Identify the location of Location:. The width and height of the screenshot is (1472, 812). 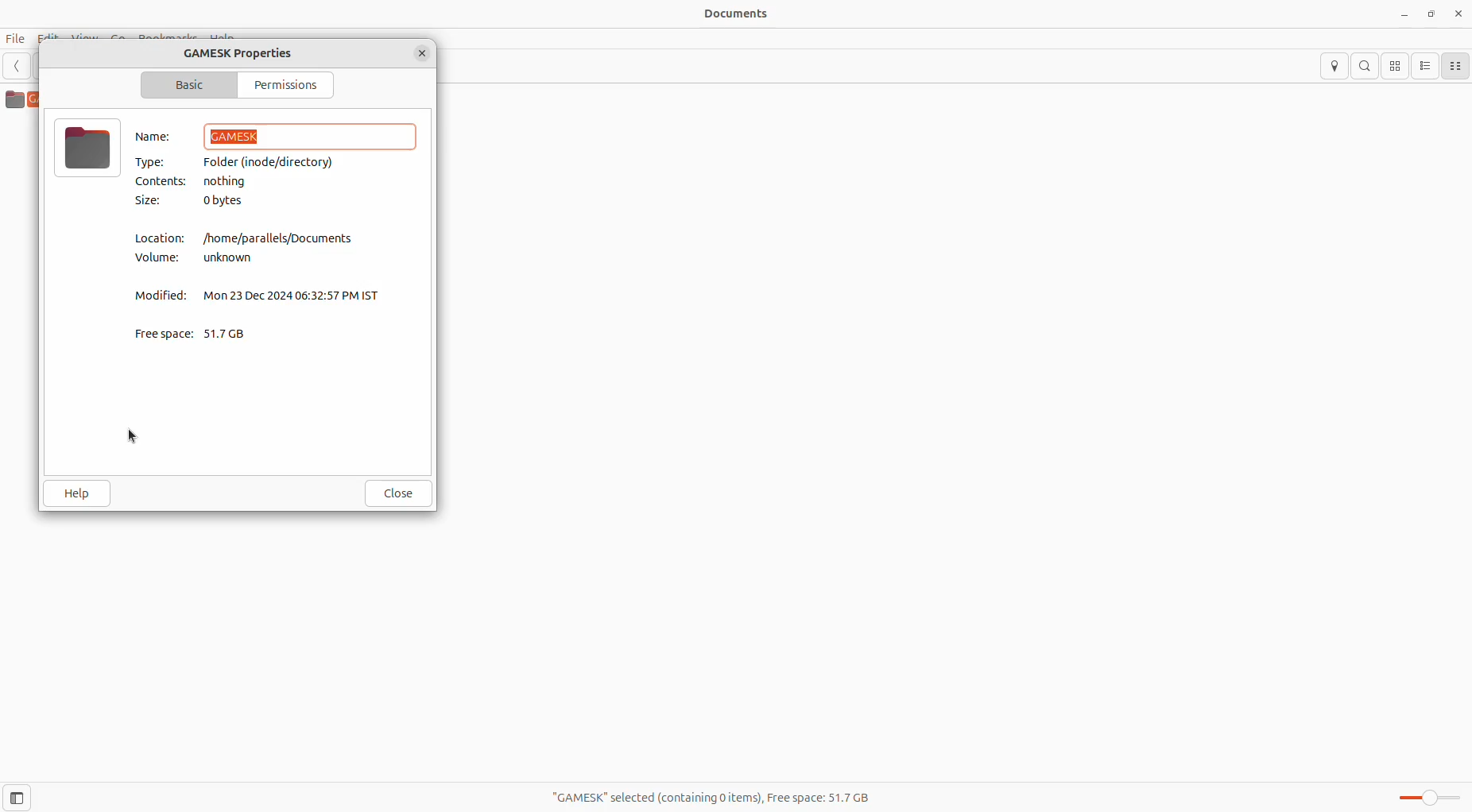
(161, 238).